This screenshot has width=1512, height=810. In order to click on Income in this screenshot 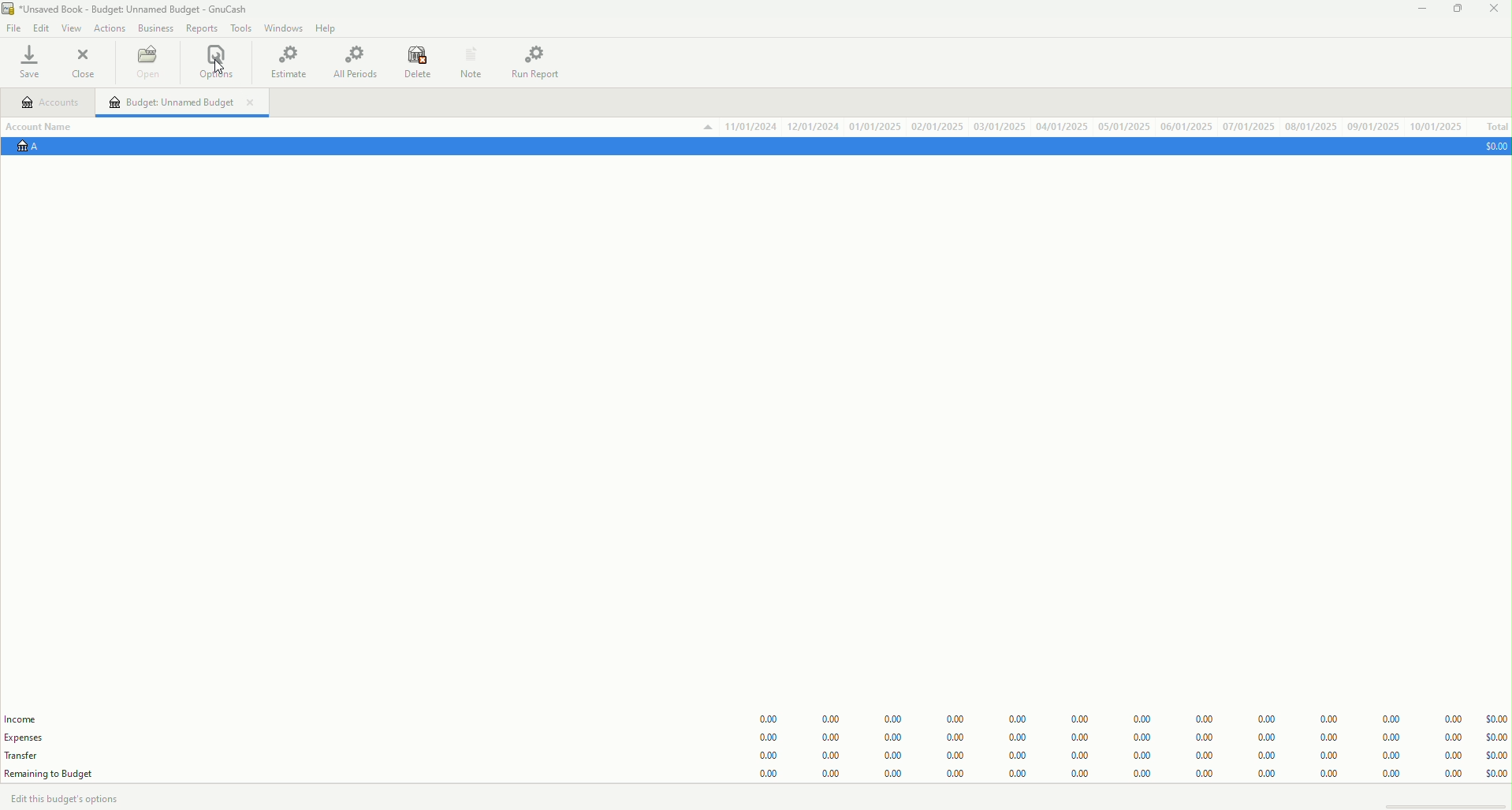, I will do `click(24, 719)`.